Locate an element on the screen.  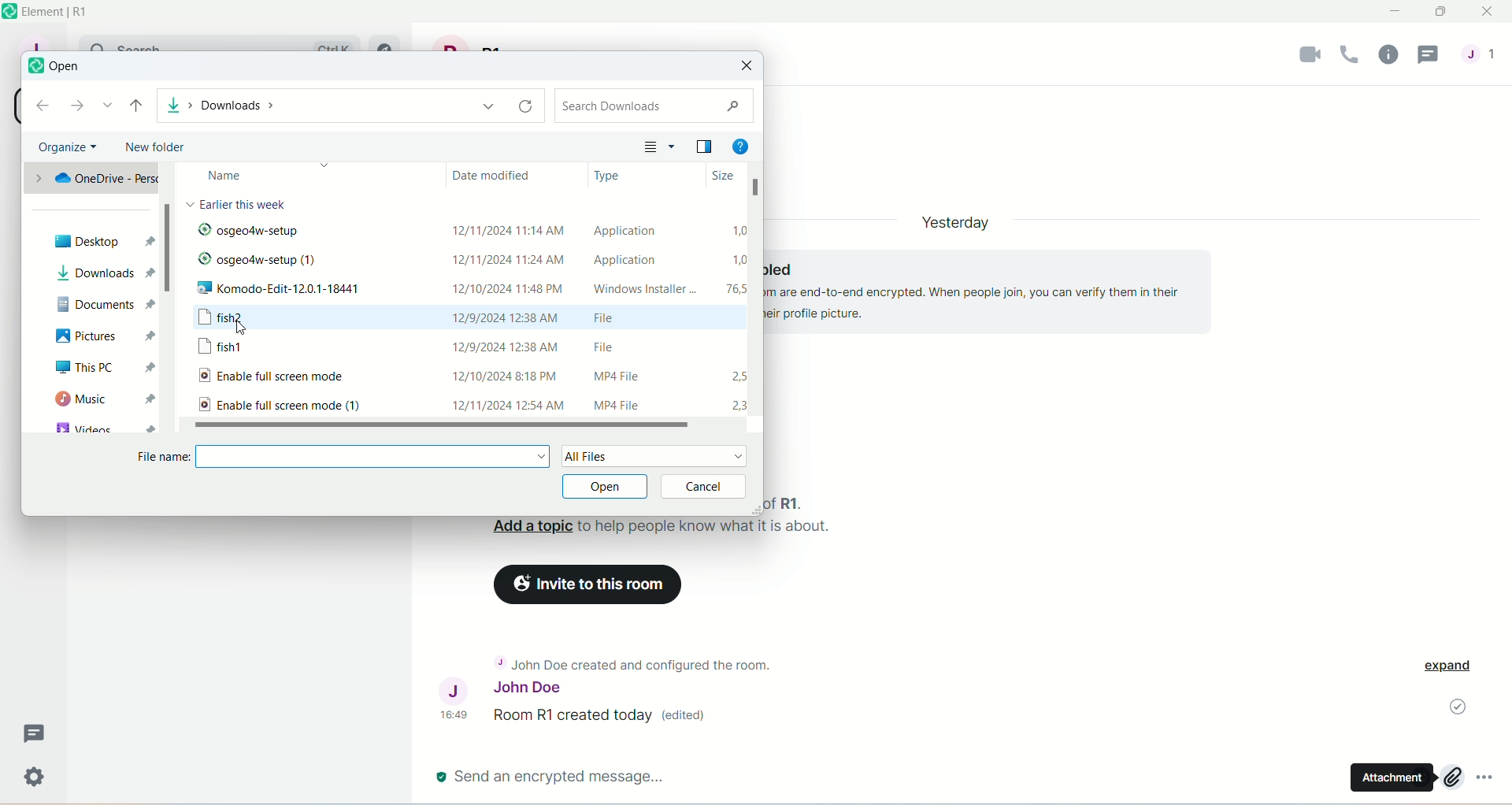
location is located at coordinates (348, 104).